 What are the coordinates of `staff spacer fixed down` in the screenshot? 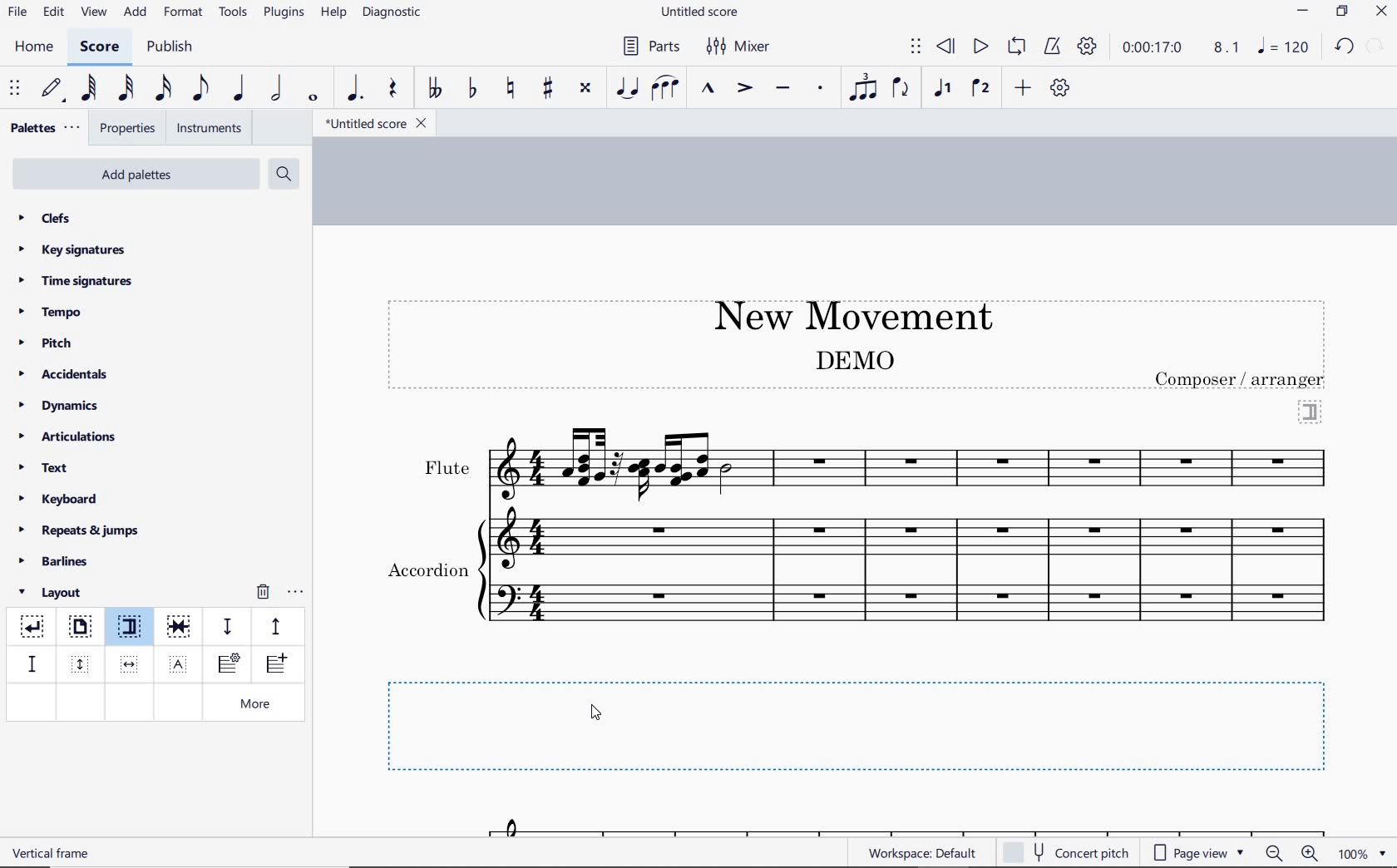 It's located at (30, 663).